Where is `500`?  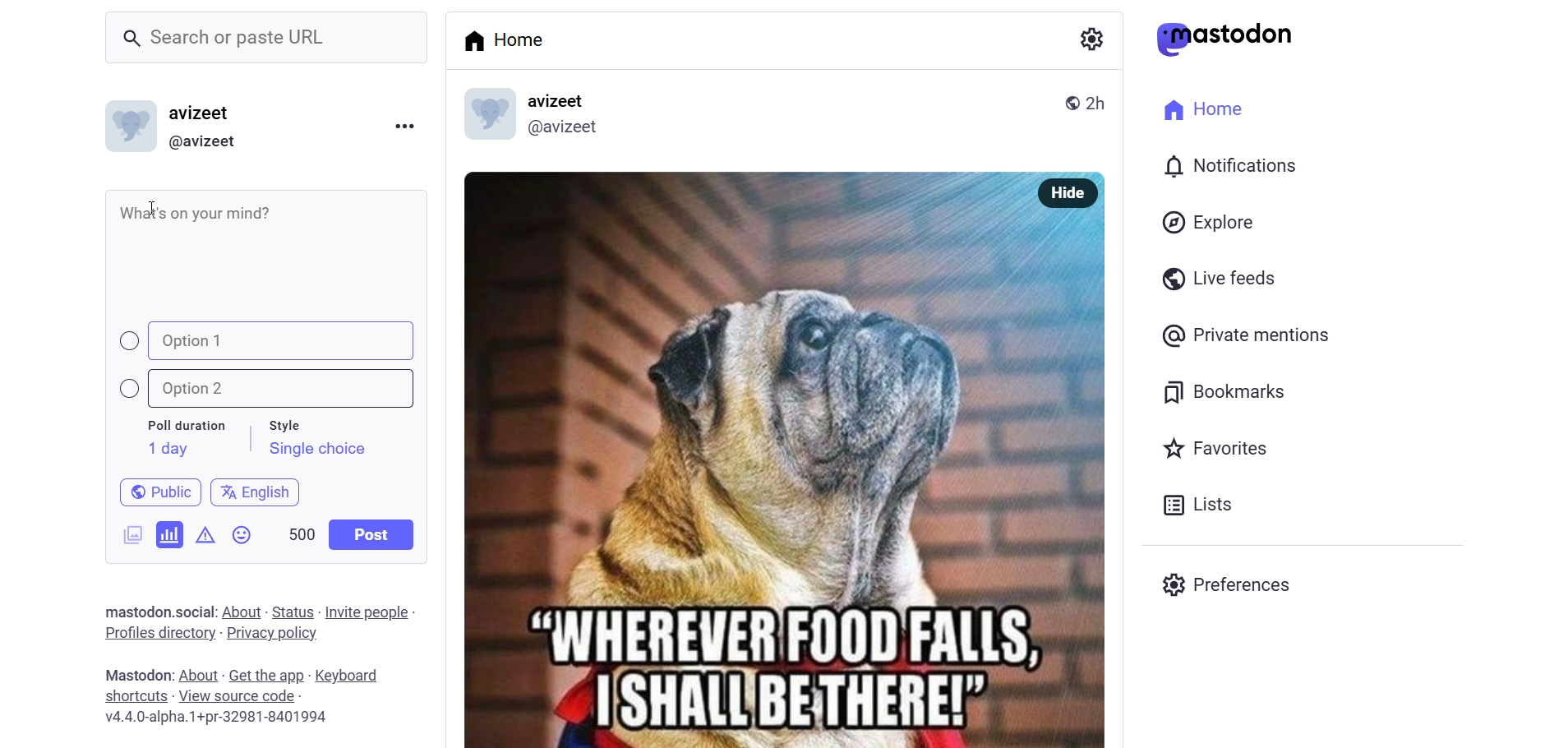
500 is located at coordinates (300, 531).